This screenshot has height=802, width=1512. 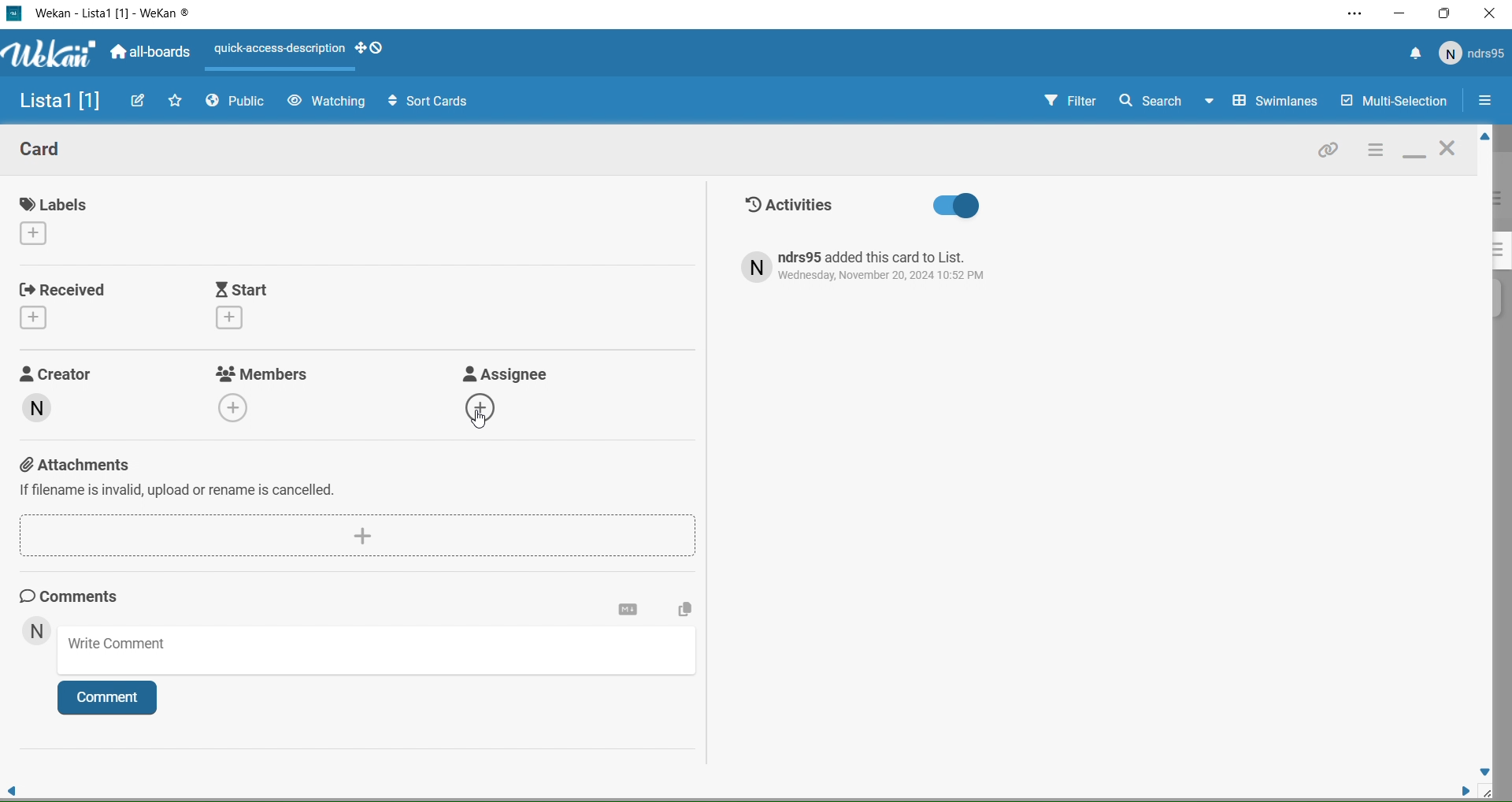 What do you see at coordinates (628, 610) in the screenshot?
I see `settings` at bounding box center [628, 610].